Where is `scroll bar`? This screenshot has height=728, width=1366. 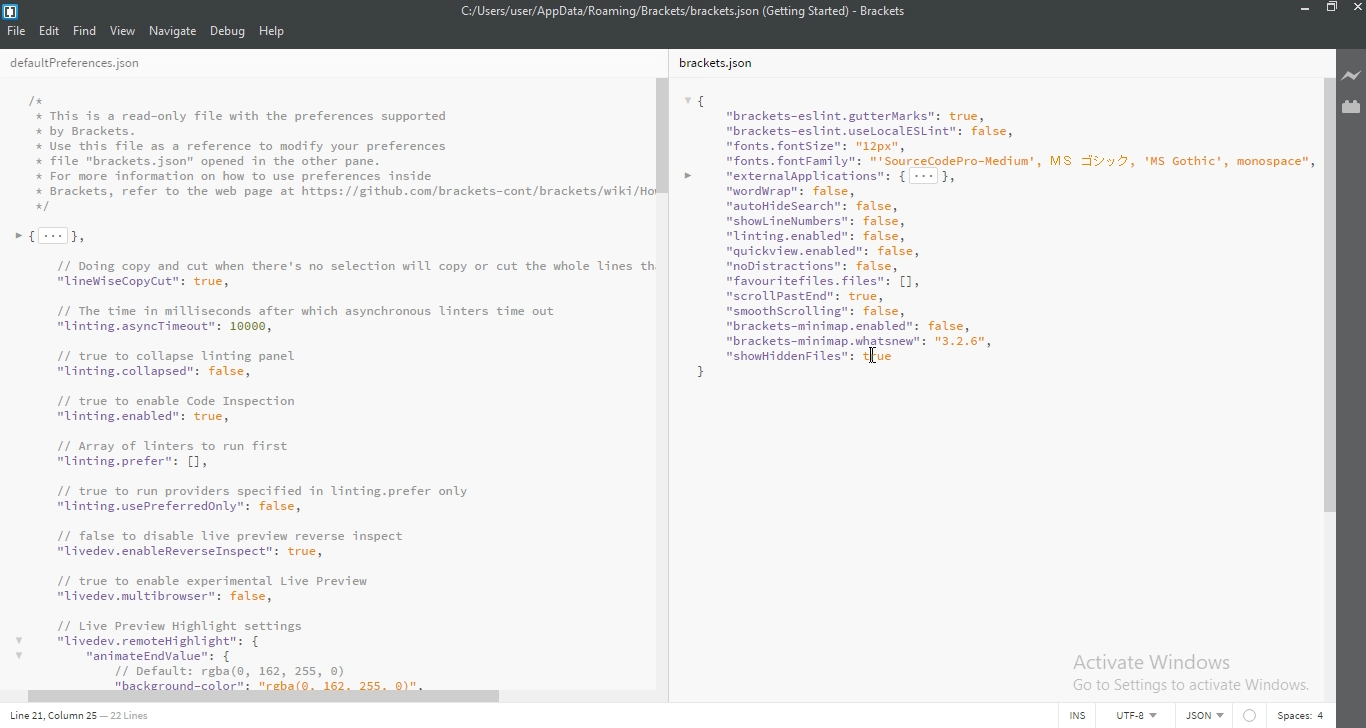
scroll bar is located at coordinates (266, 699).